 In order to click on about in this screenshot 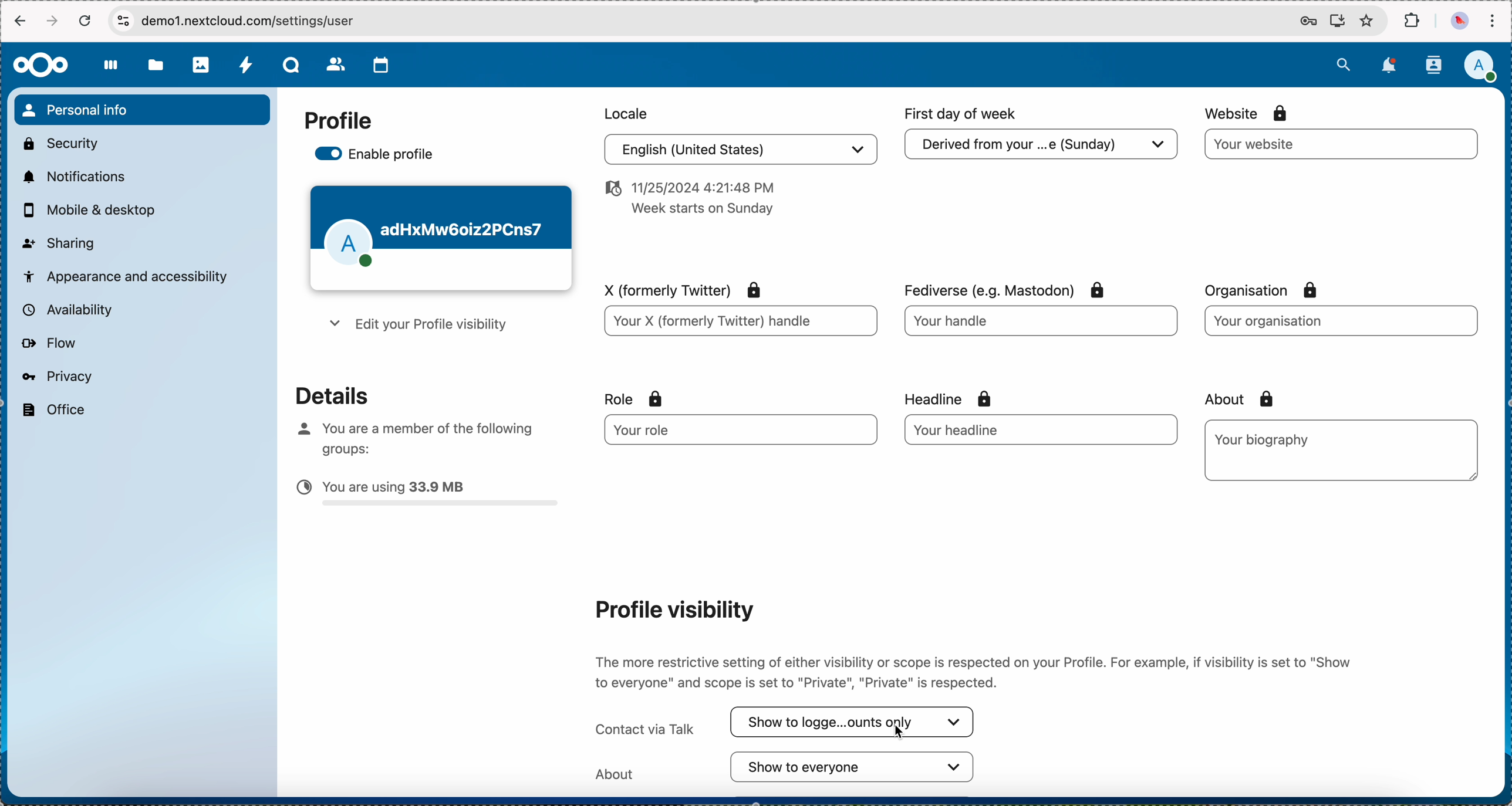, I will do `click(786, 767)`.